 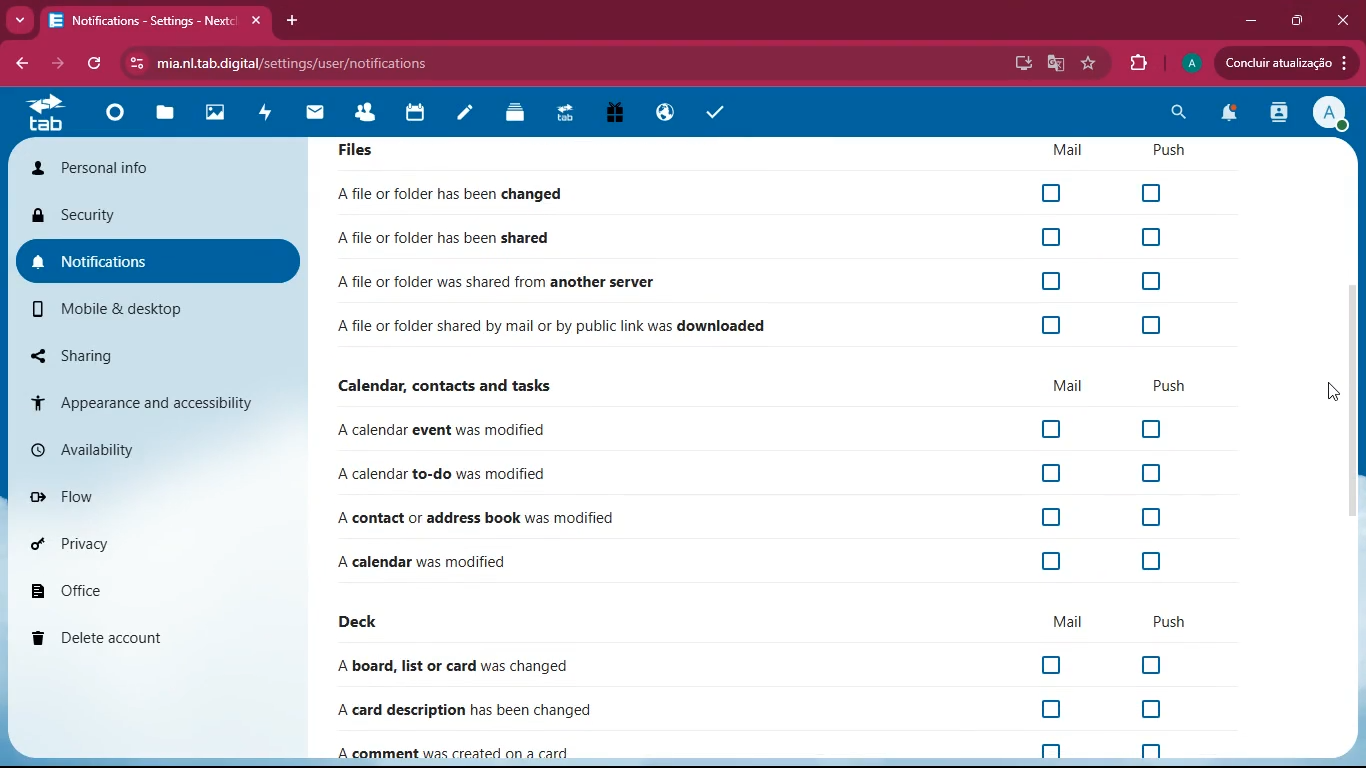 What do you see at coordinates (1055, 282) in the screenshot?
I see `Checkbox` at bounding box center [1055, 282].